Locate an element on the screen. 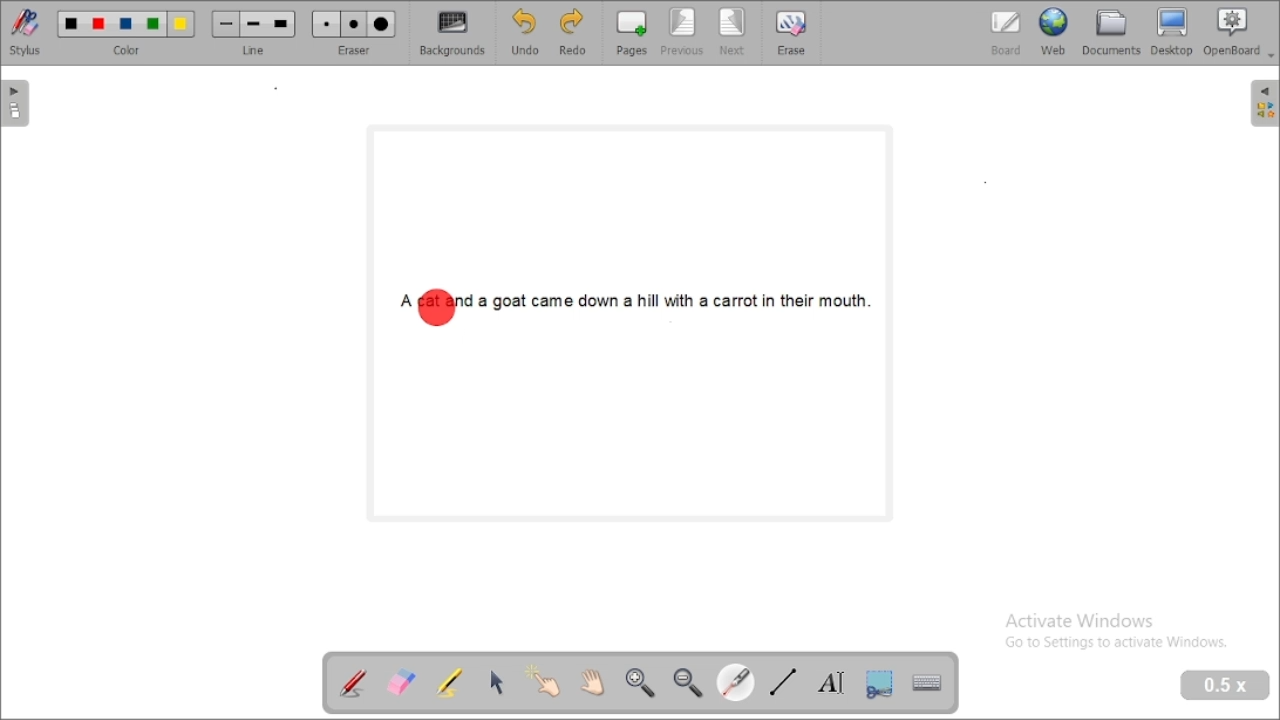 The image size is (1280, 720). eraser is located at coordinates (353, 33).